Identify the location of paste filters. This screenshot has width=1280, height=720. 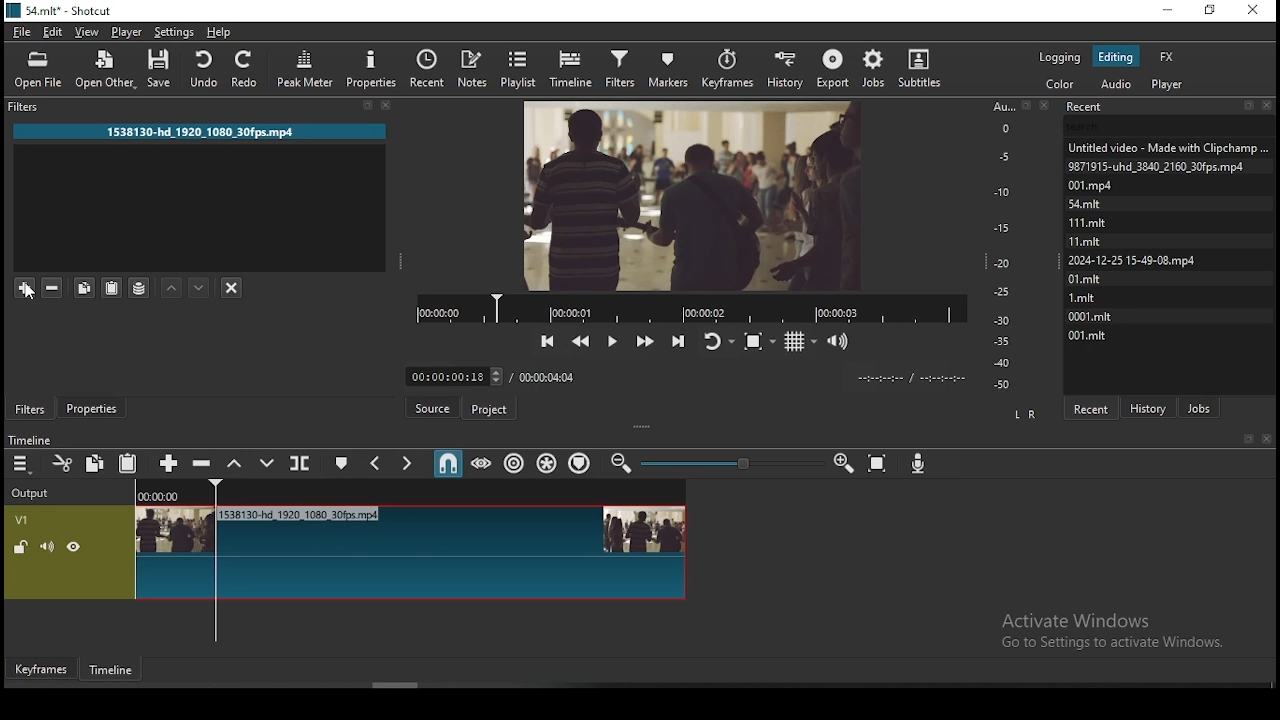
(115, 289).